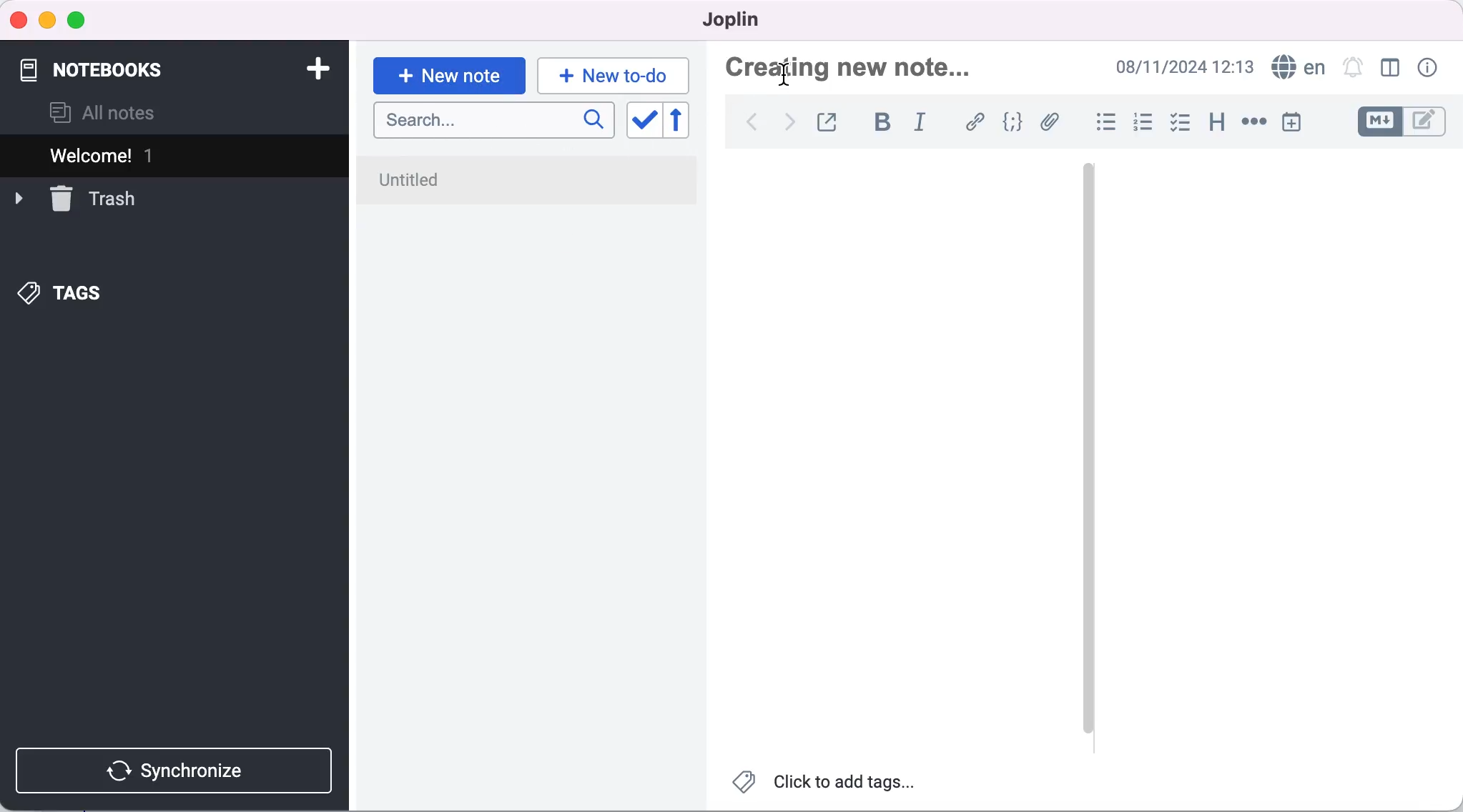 Image resolution: width=1463 pixels, height=812 pixels. What do you see at coordinates (177, 771) in the screenshot?
I see `synchronize` at bounding box center [177, 771].